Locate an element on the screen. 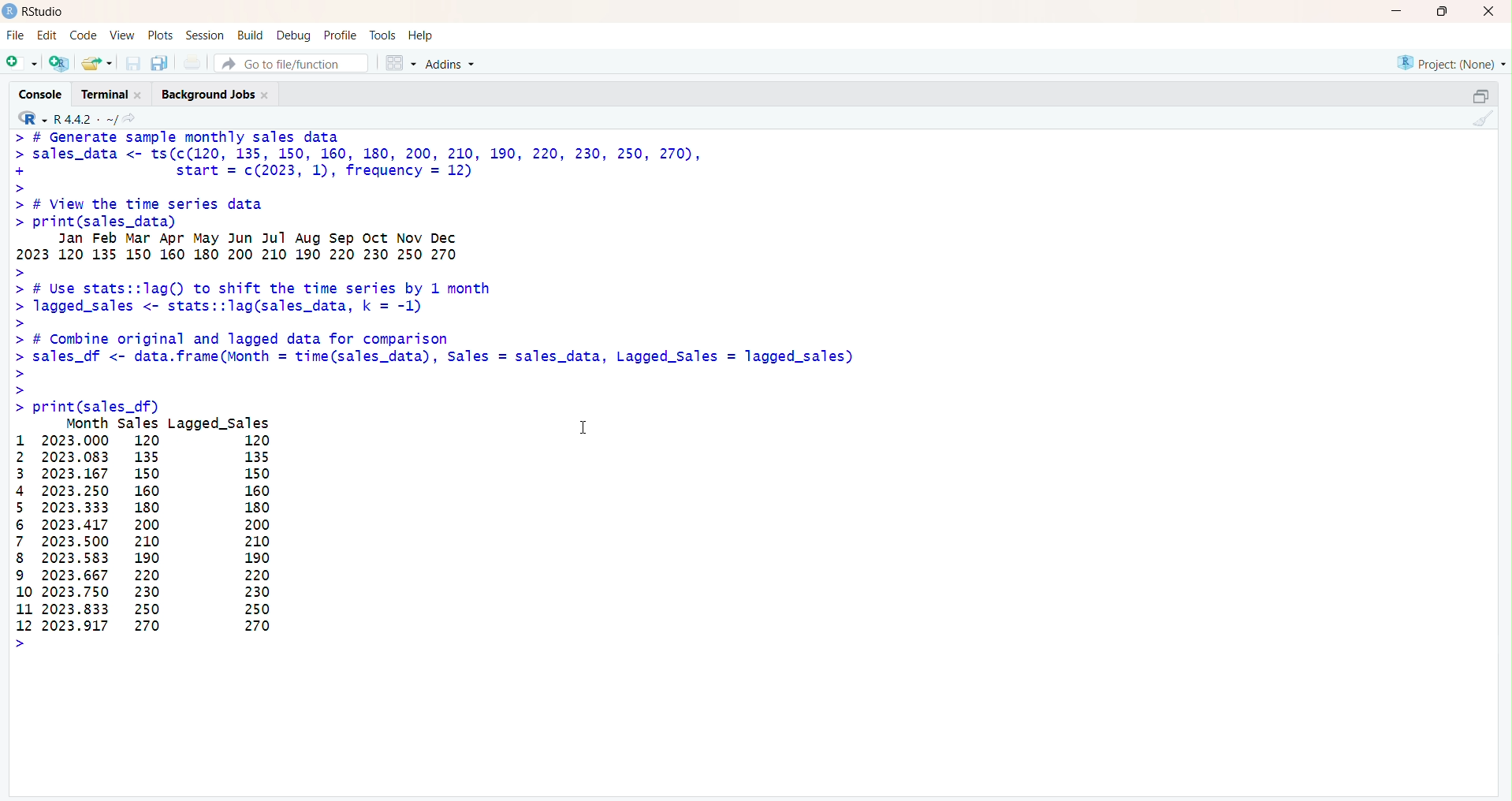  print(sales_df) is located at coordinates (107, 405).